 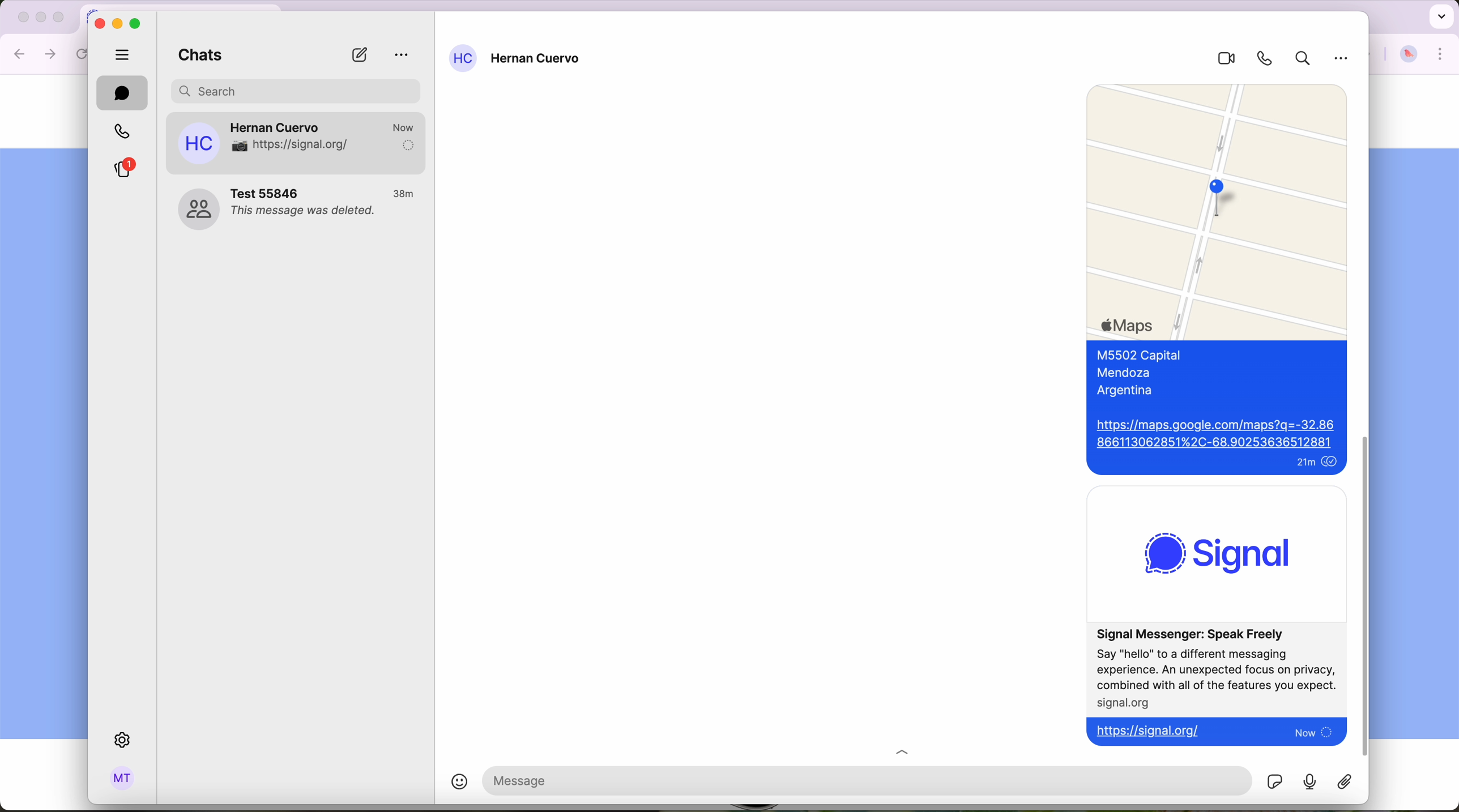 I want to click on maps, so click(x=1219, y=212).